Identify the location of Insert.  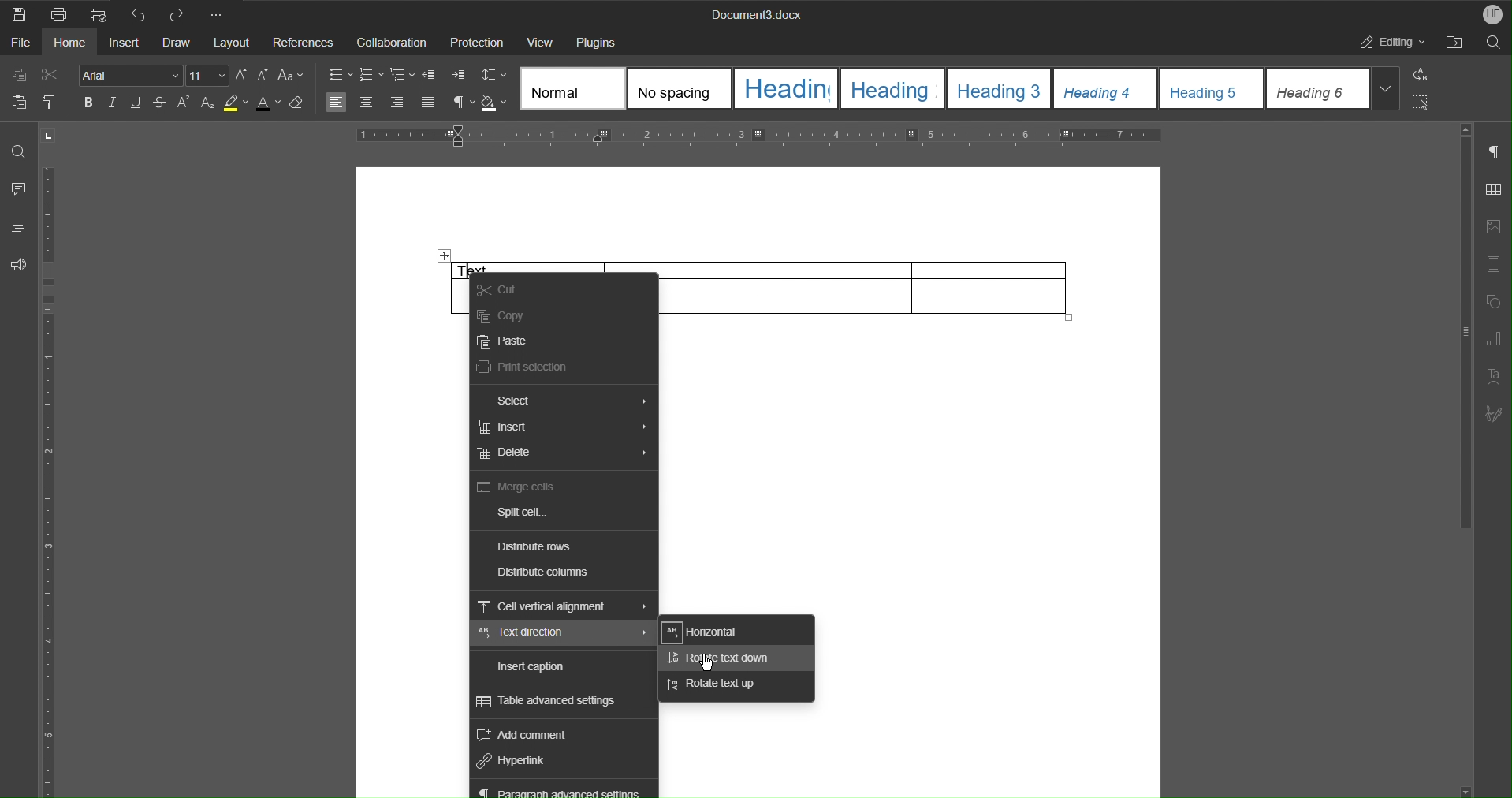
(507, 428).